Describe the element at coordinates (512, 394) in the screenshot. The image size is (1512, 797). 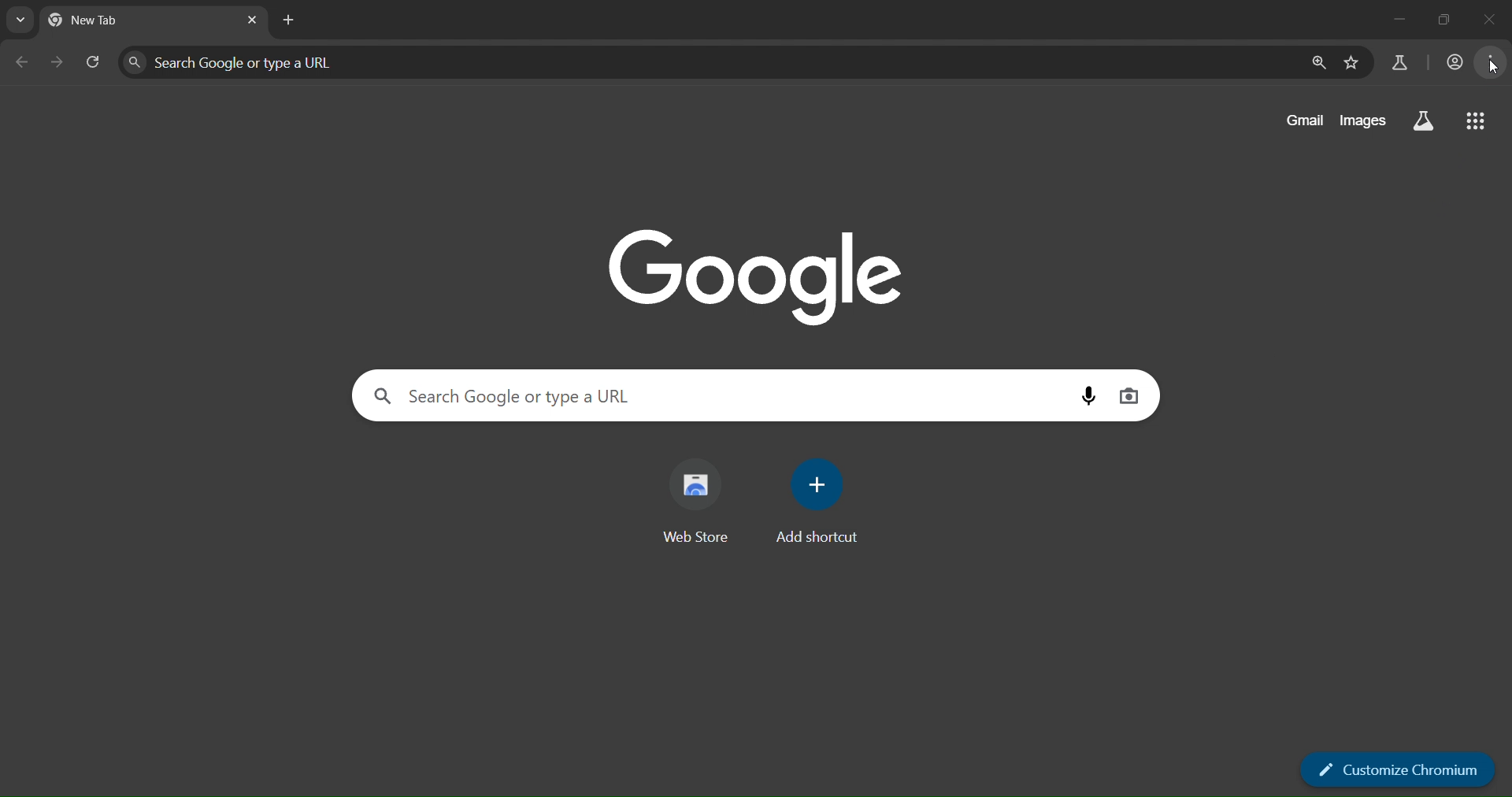
I see `Search Google or type a URL` at that location.